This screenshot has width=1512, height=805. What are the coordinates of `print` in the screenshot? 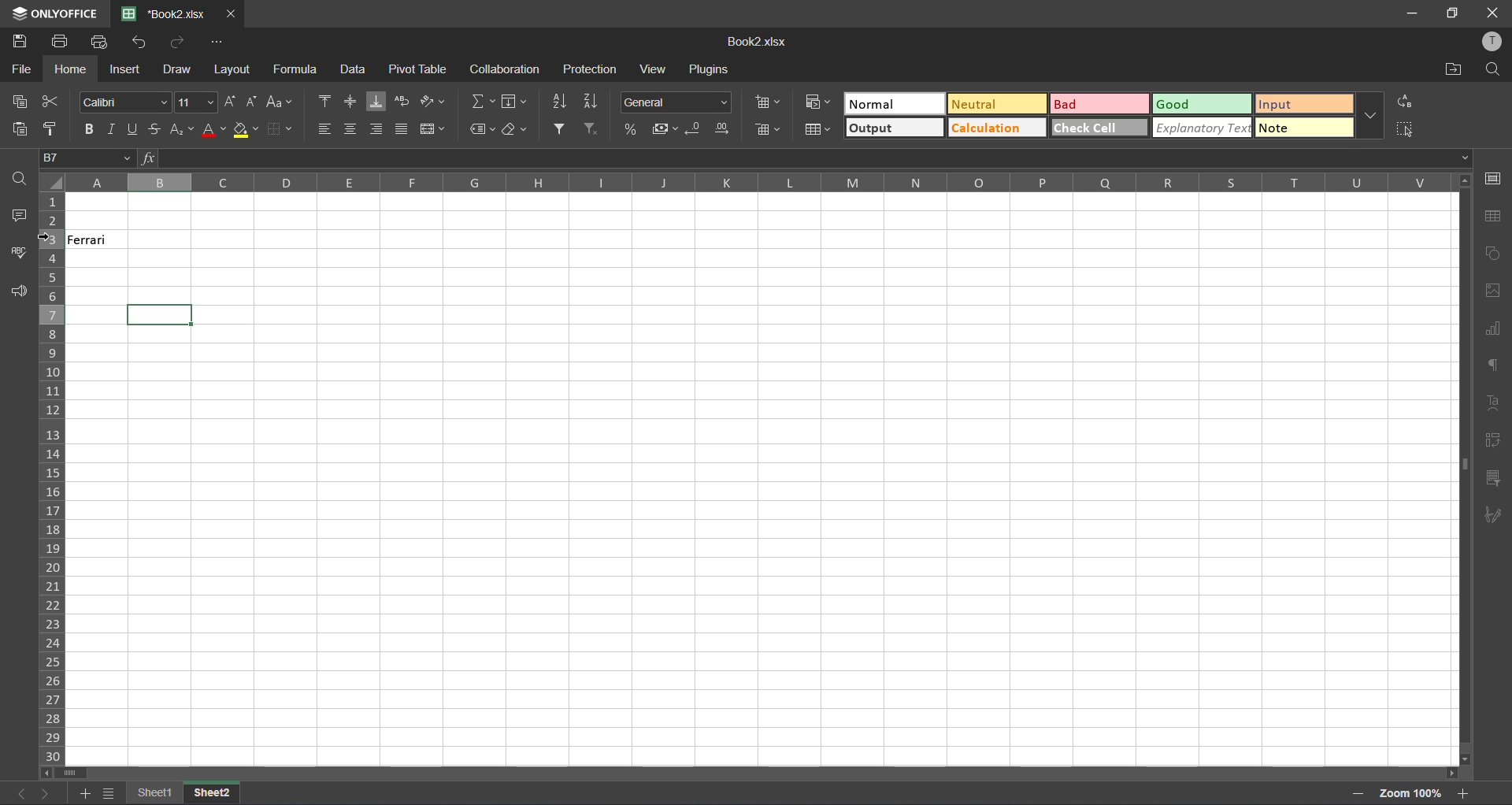 It's located at (61, 43).